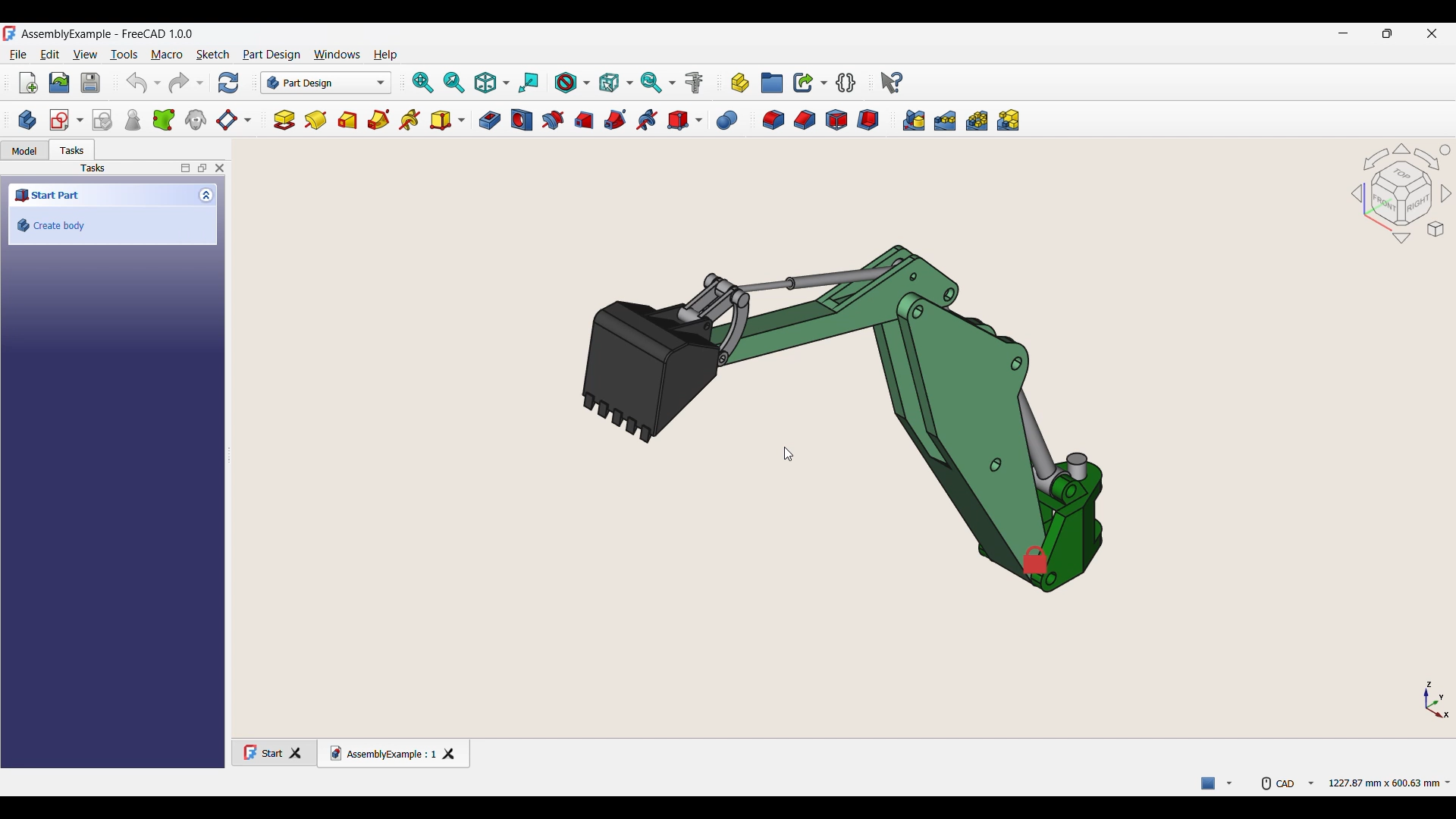  What do you see at coordinates (165, 120) in the screenshot?
I see `Create a sub-objects shape binder` at bounding box center [165, 120].